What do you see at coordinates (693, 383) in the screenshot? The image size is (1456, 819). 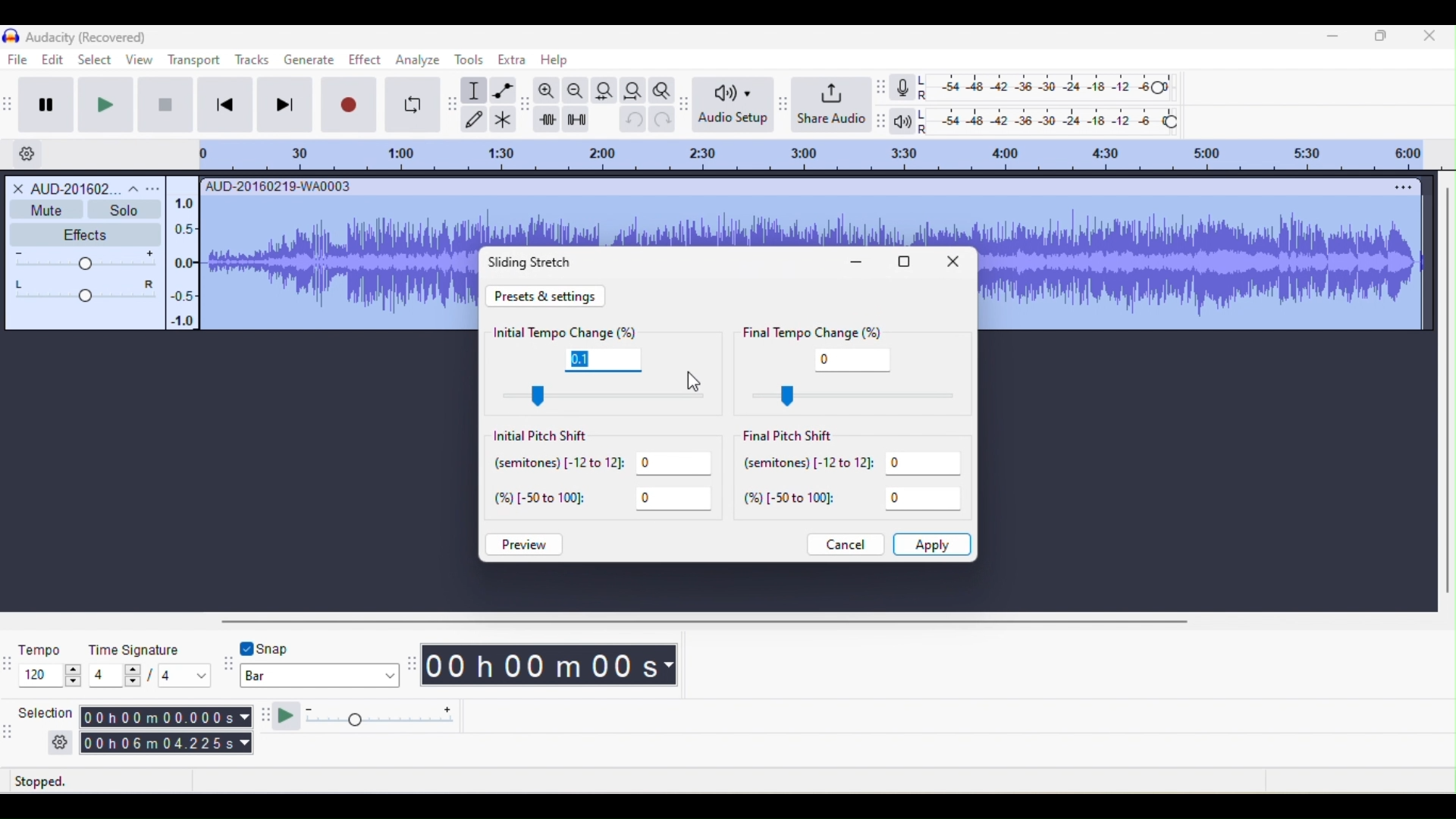 I see `cursor` at bounding box center [693, 383].